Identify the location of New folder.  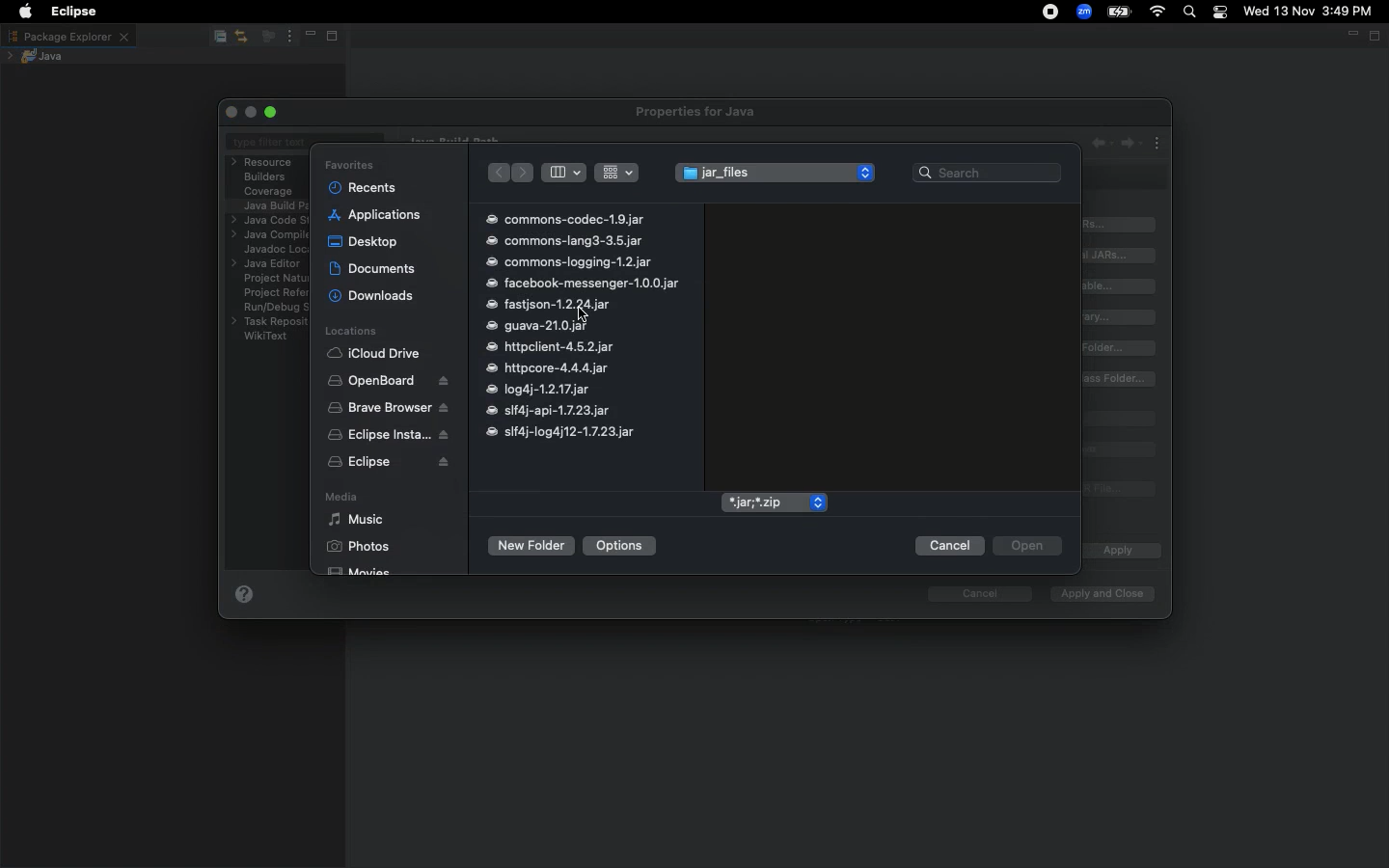
(530, 546).